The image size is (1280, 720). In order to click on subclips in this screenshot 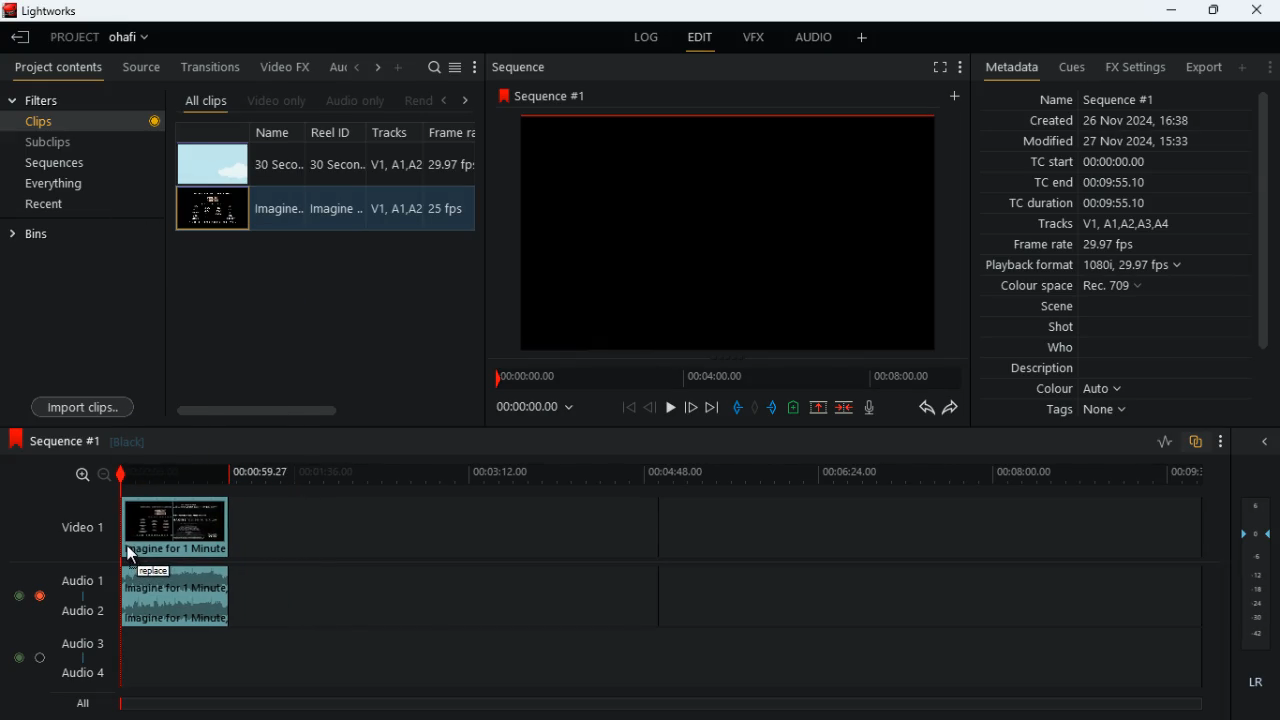, I will do `click(76, 142)`.